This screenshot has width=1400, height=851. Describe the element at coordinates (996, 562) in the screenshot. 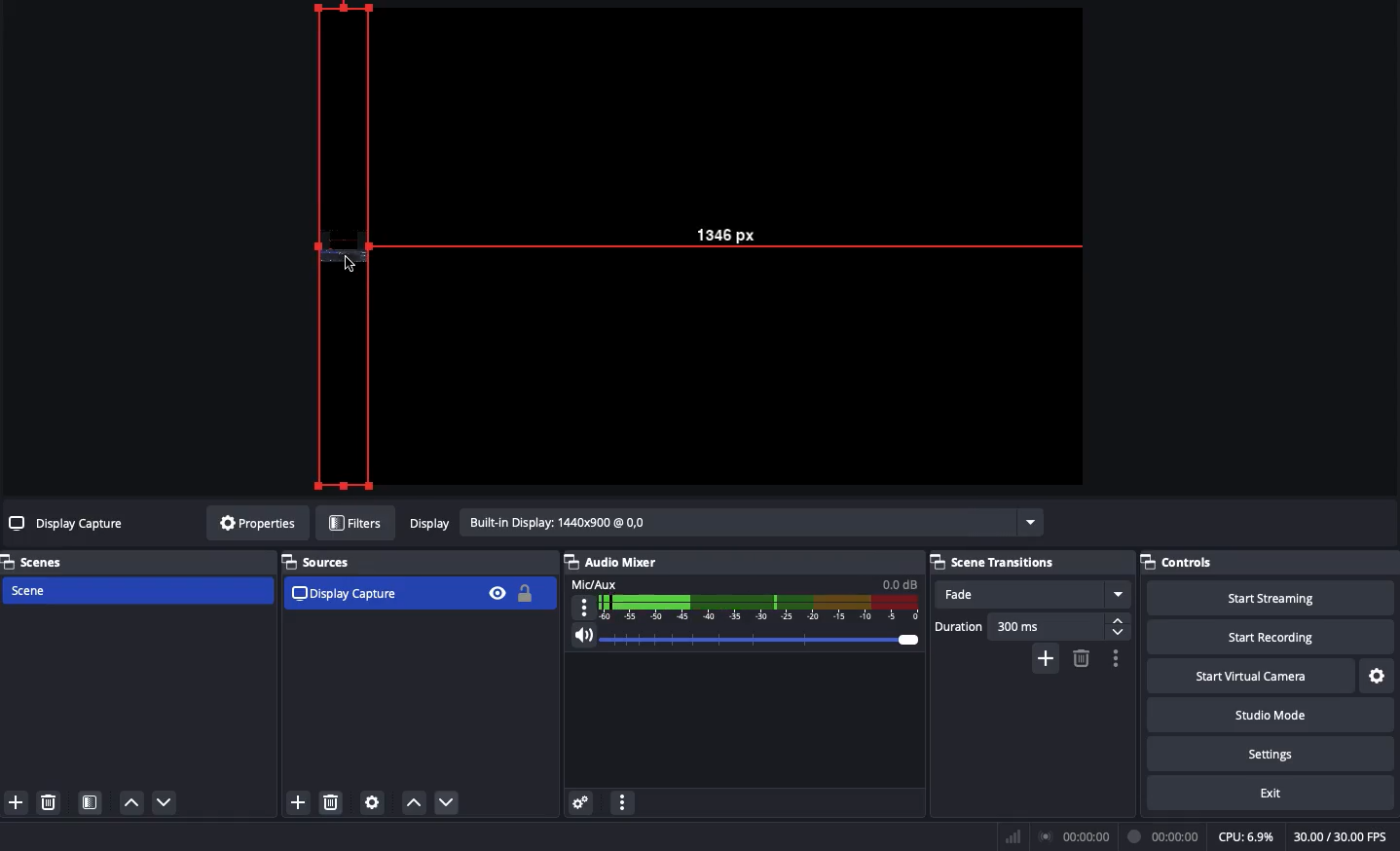

I see `Scene transition` at that location.